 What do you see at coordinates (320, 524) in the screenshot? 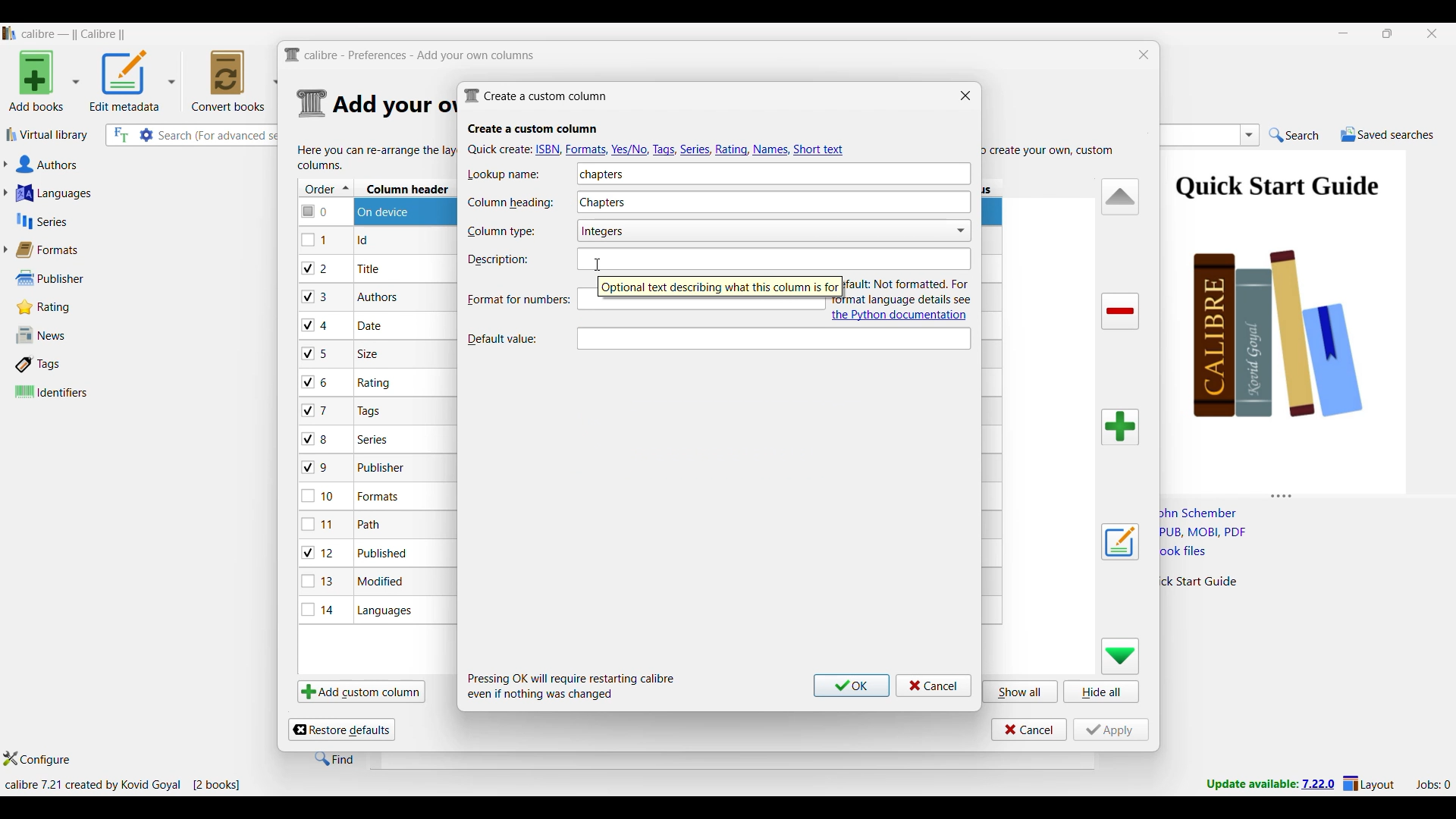
I see `checkbox - 11` at bounding box center [320, 524].